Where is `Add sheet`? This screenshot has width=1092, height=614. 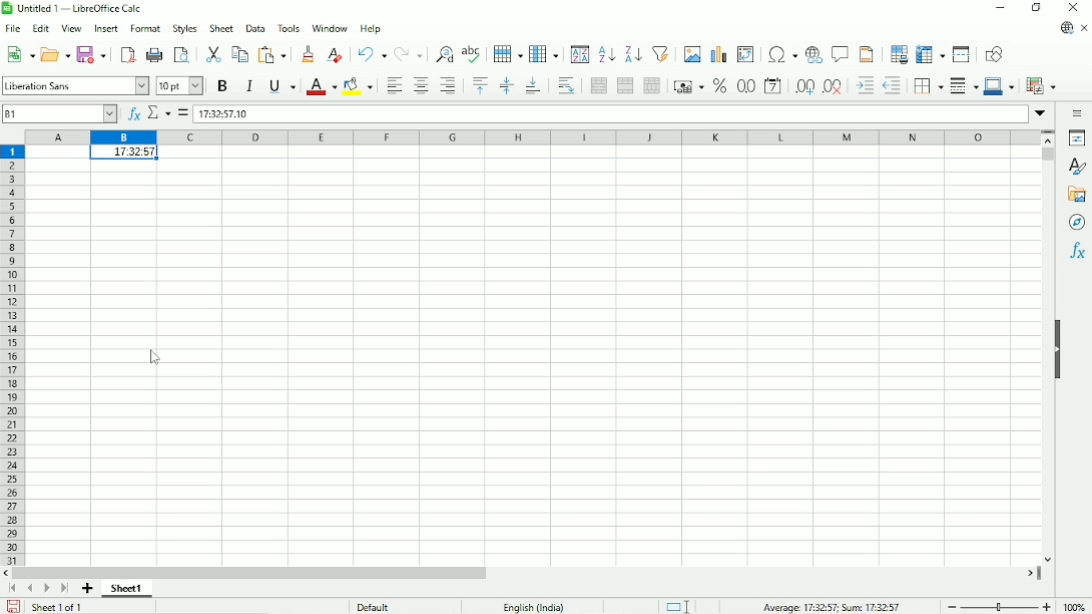 Add sheet is located at coordinates (88, 588).